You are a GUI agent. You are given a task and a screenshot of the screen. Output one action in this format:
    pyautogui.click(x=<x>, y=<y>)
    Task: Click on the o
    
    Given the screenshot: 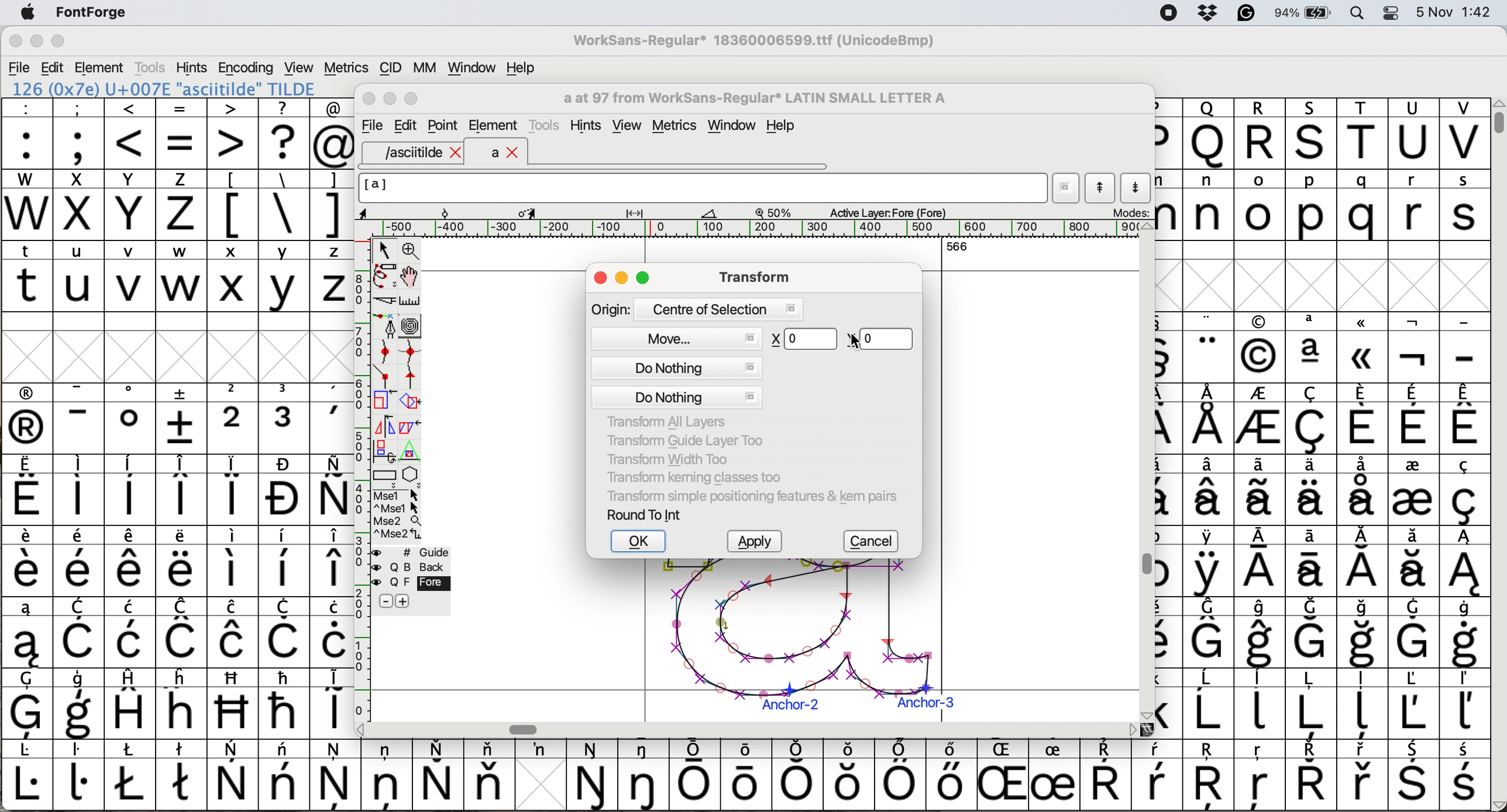 What is the action you would take?
    pyautogui.click(x=1261, y=207)
    